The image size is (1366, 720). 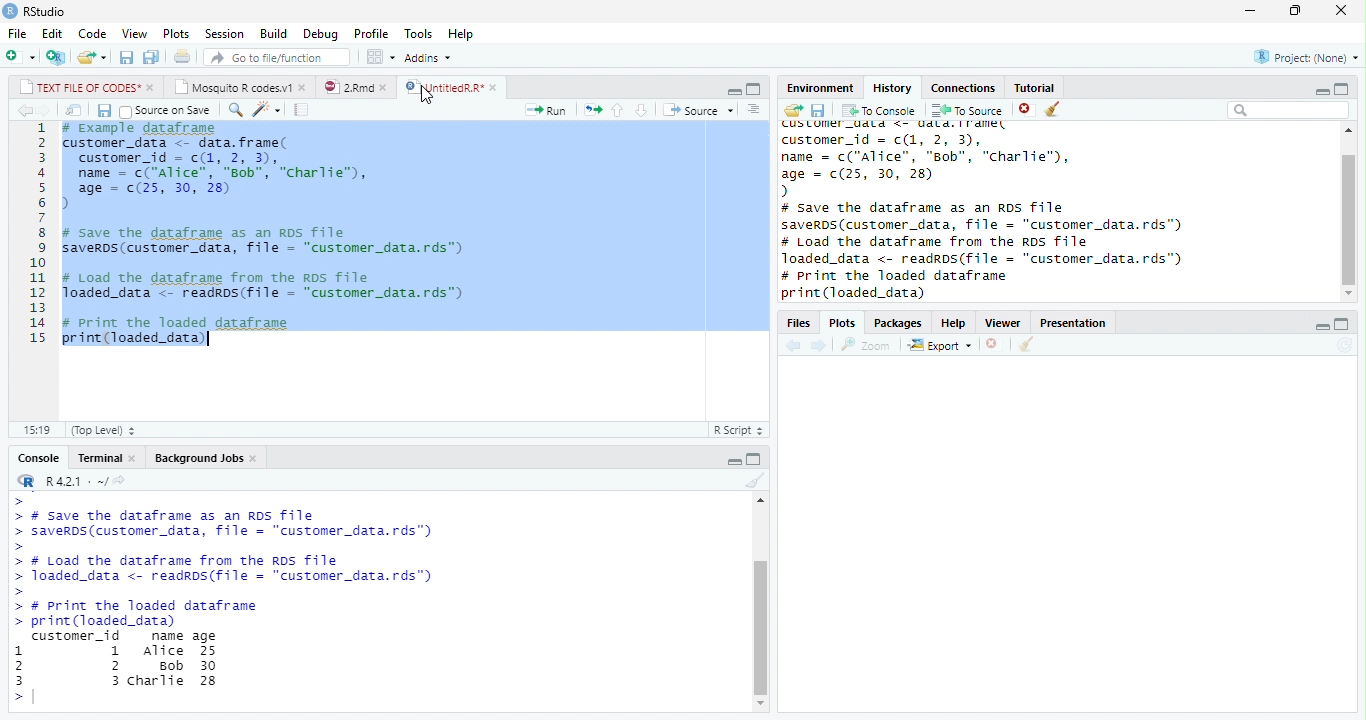 I want to click on # Print the loaded dataframe
print(loaded_data)|, so click(x=189, y=334).